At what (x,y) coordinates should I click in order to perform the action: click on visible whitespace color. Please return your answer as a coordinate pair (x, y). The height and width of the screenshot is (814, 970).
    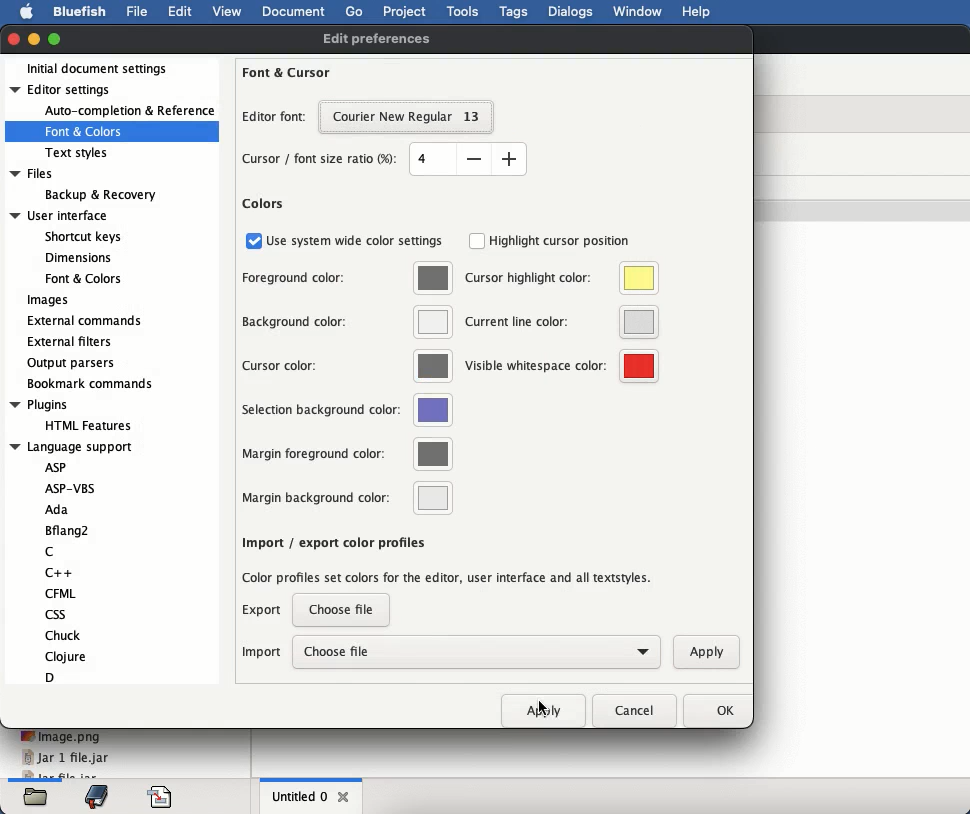
    Looking at the image, I should click on (560, 365).